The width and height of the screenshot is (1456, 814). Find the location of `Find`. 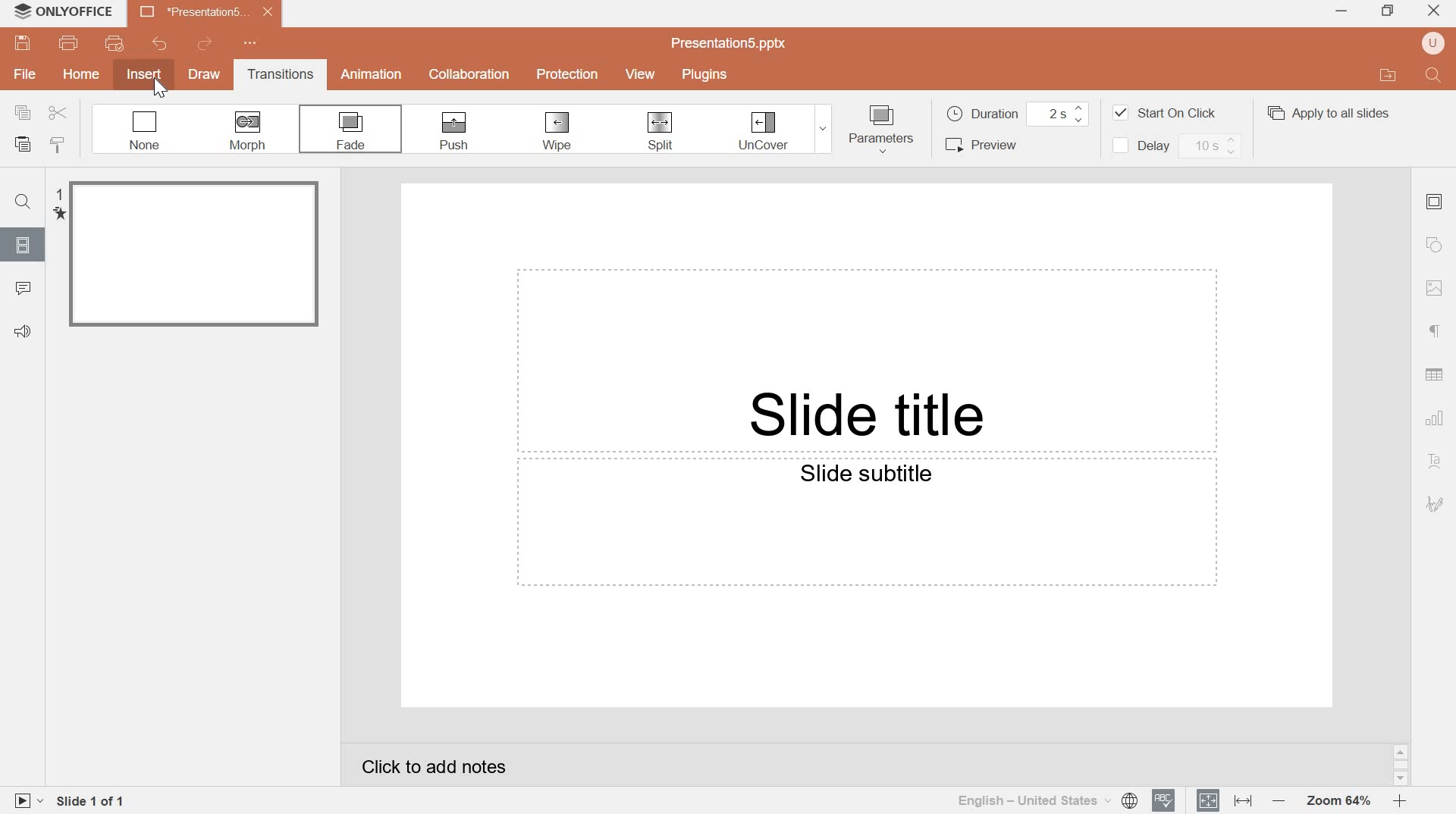

Find is located at coordinates (1435, 76).